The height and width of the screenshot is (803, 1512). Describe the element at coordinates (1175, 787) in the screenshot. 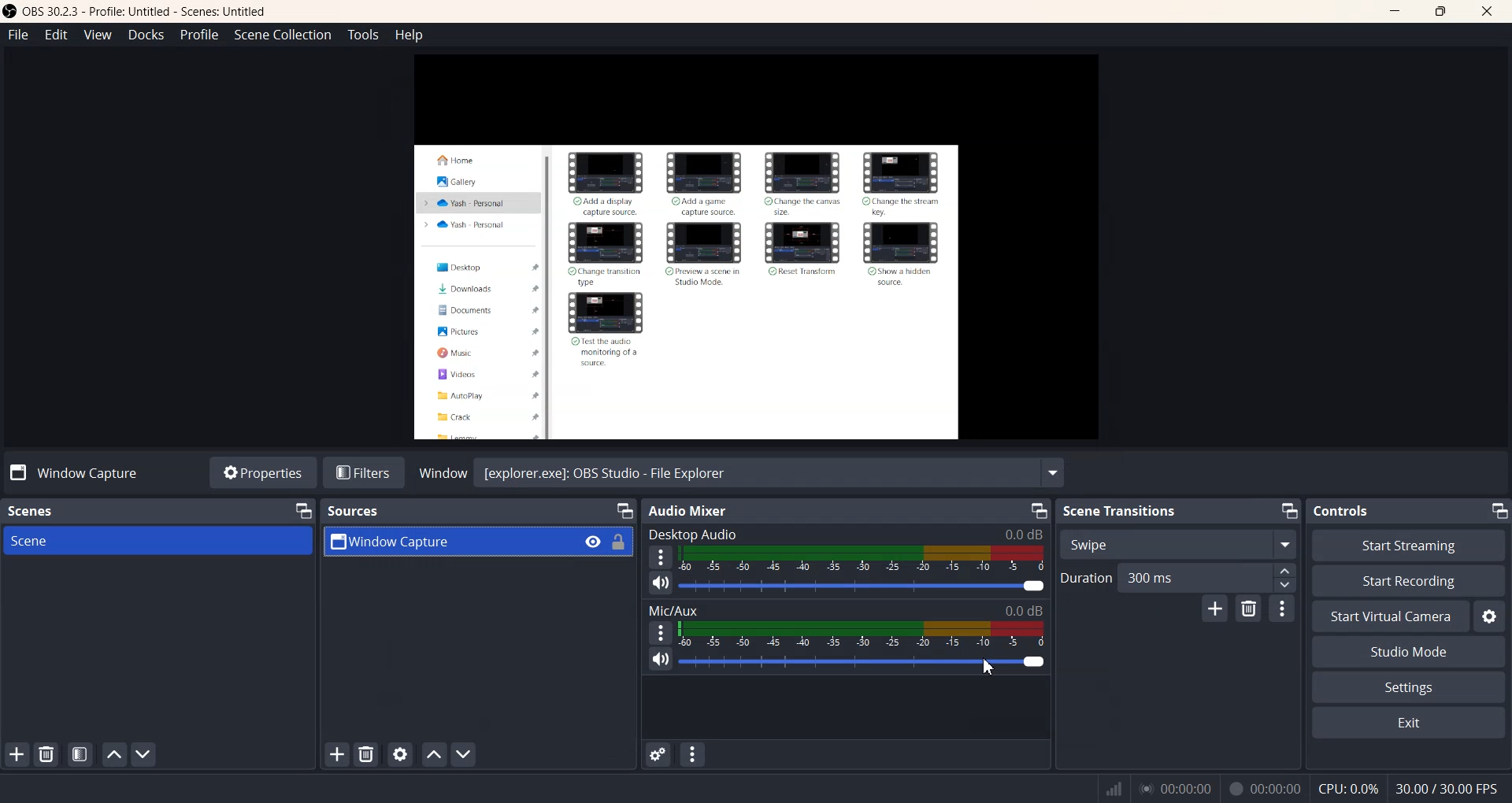

I see `00:00:00` at that location.